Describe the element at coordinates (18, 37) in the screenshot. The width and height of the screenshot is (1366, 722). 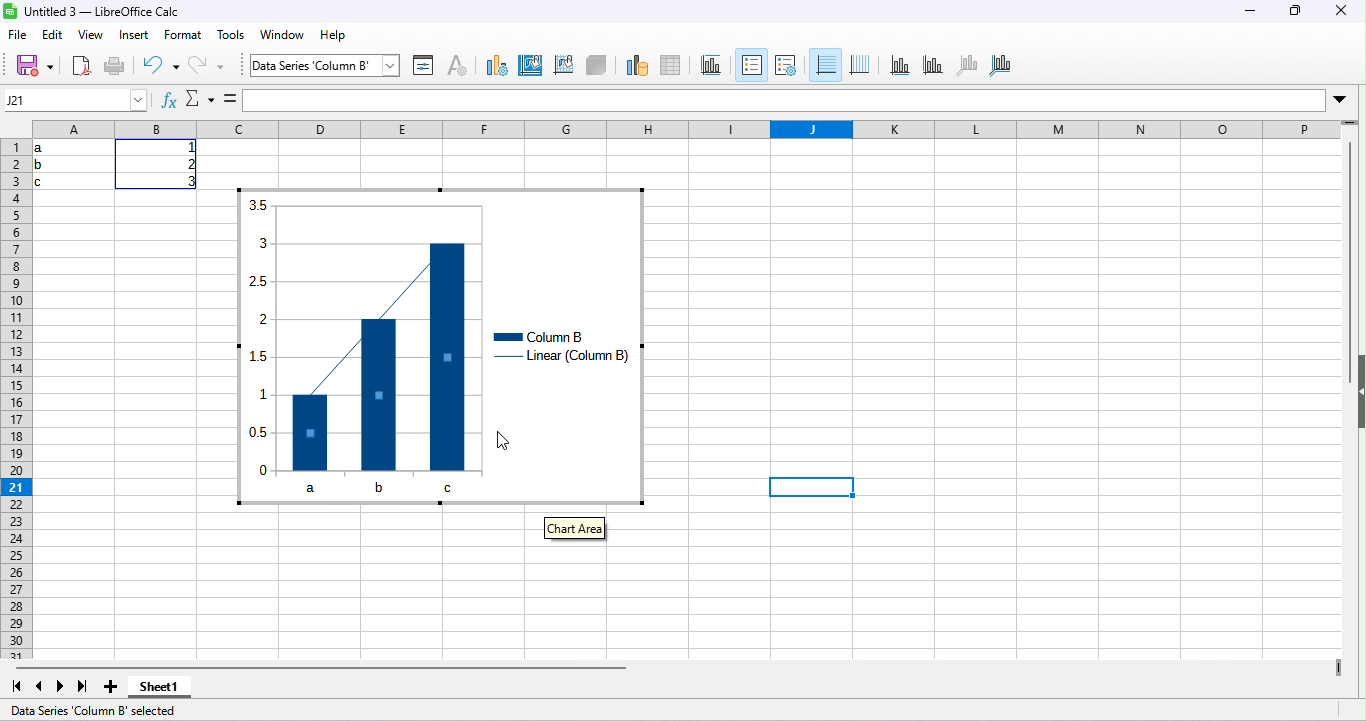
I see `file` at that location.